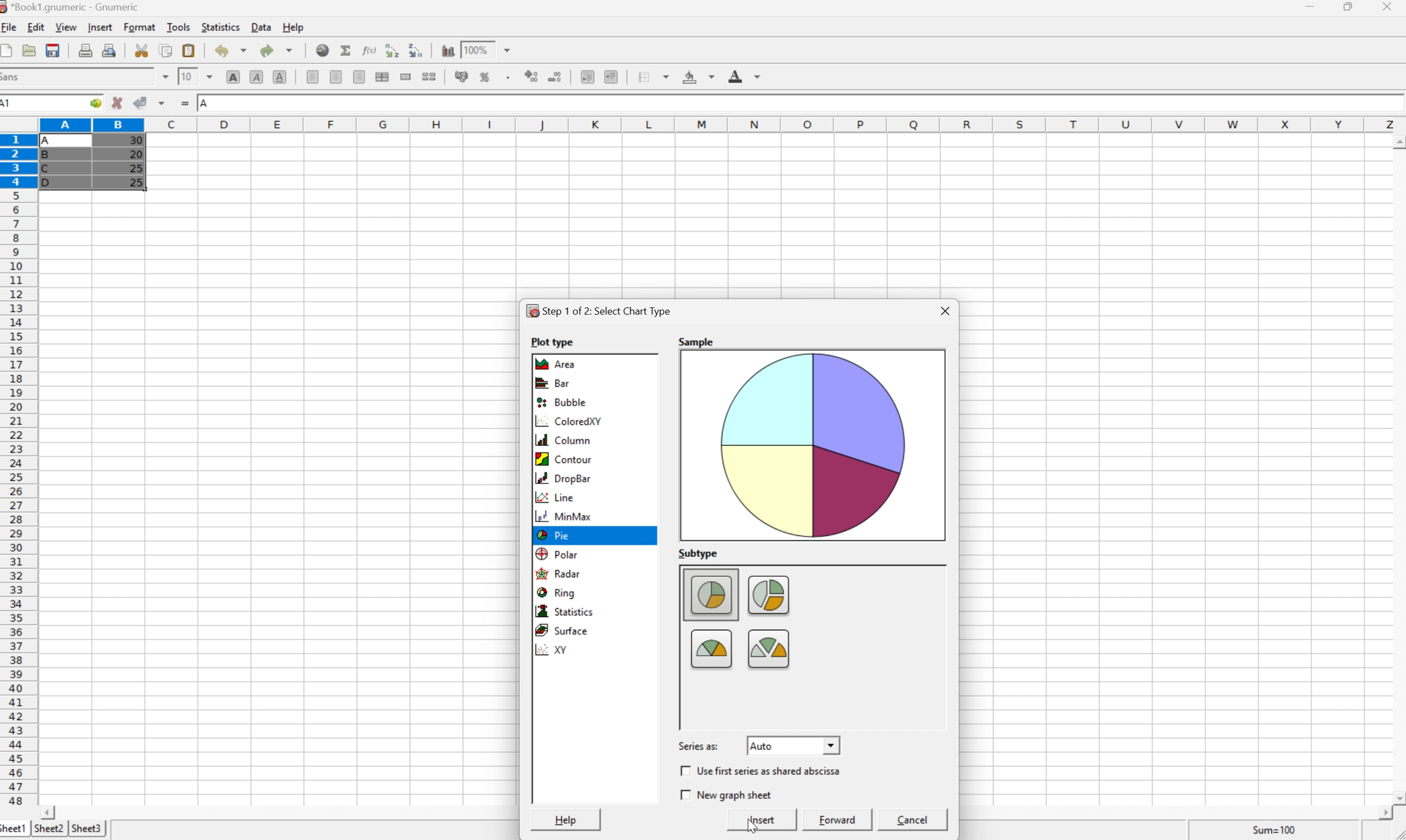 The image size is (1406, 840). What do you see at coordinates (746, 76) in the screenshot?
I see `Foreground` at bounding box center [746, 76].